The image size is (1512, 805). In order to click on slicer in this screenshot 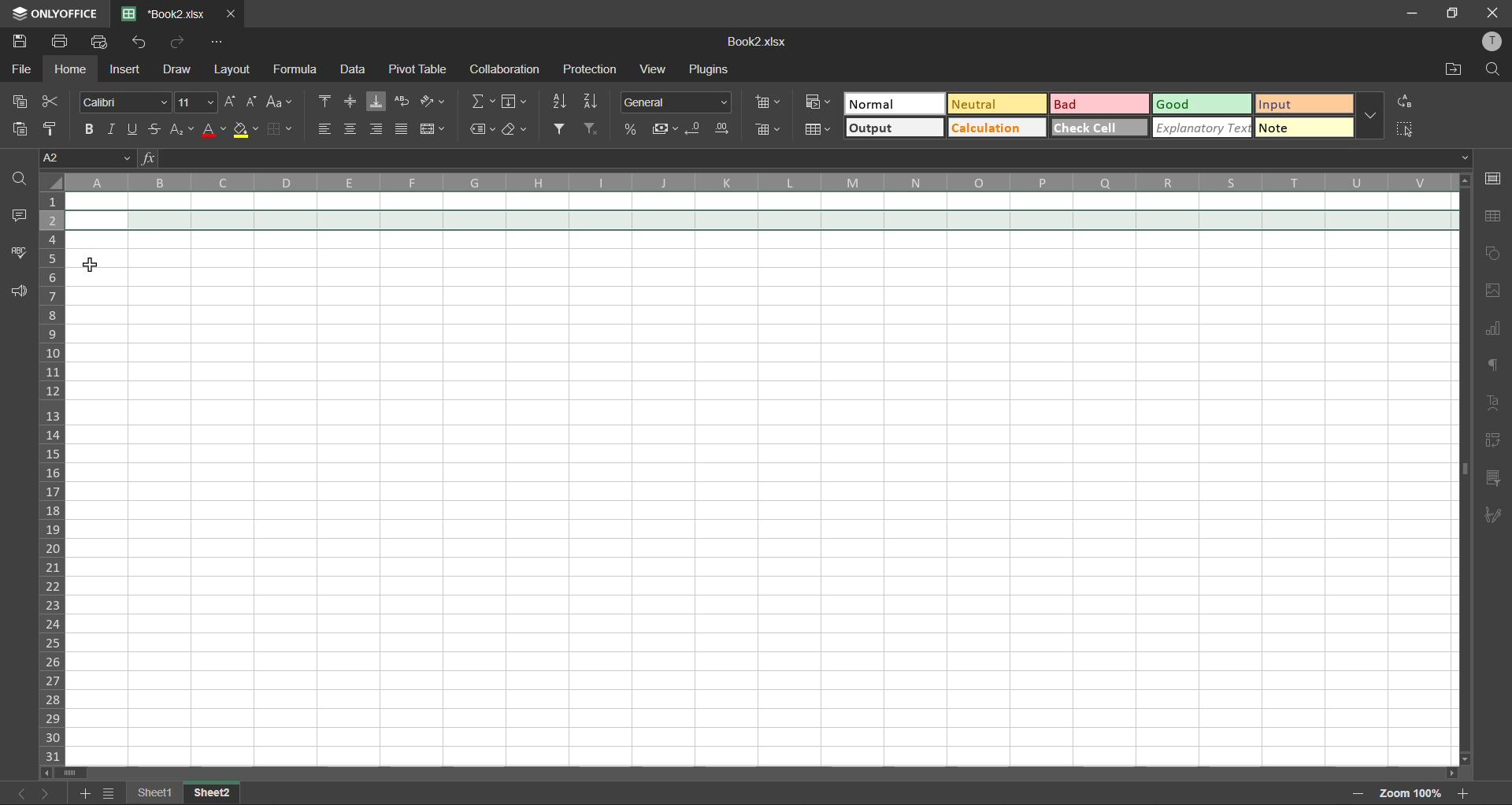, I will do `click(1493, 478)`.